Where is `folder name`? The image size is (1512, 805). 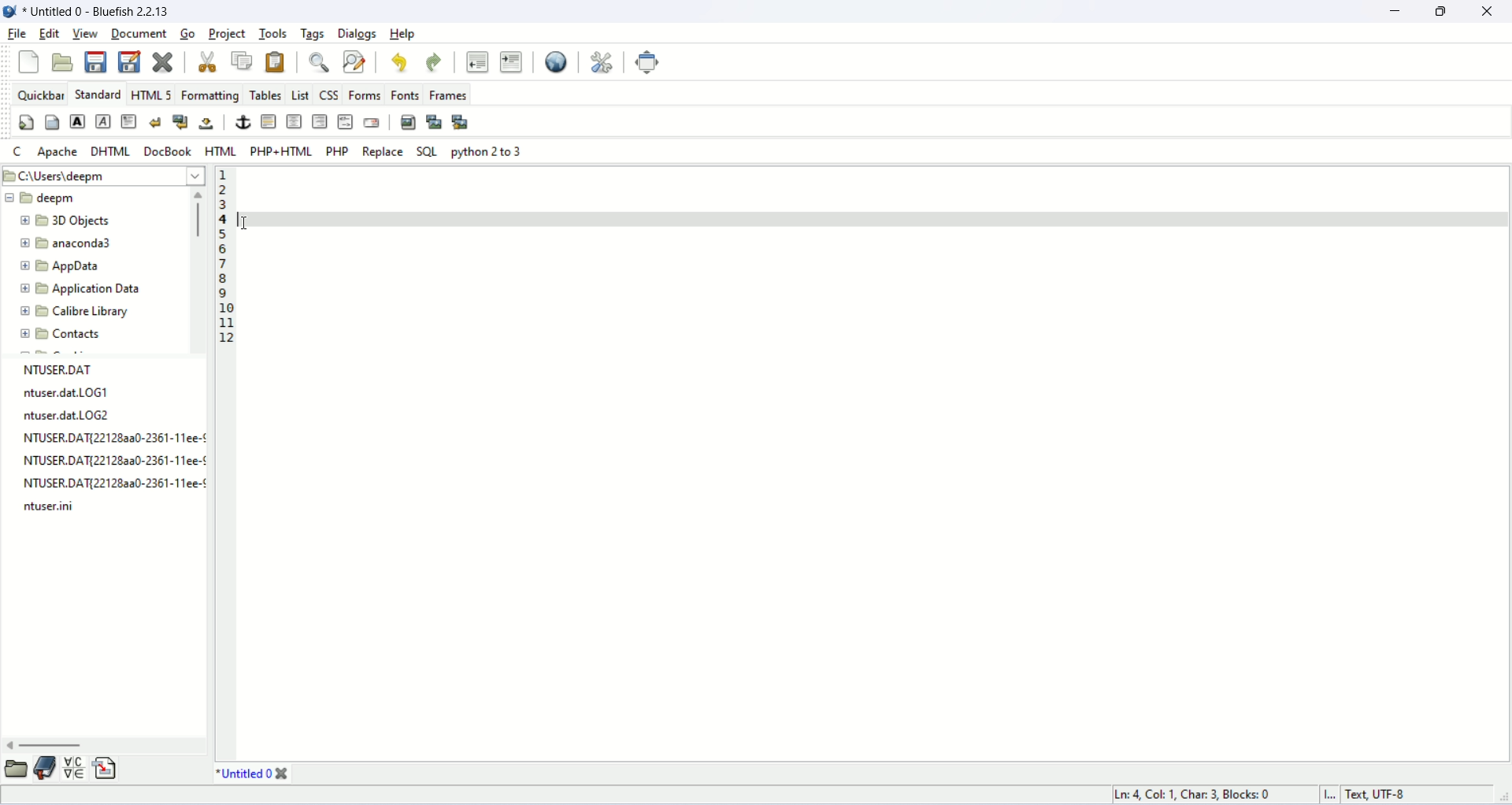
folder name is located at coordinates (95, 288).